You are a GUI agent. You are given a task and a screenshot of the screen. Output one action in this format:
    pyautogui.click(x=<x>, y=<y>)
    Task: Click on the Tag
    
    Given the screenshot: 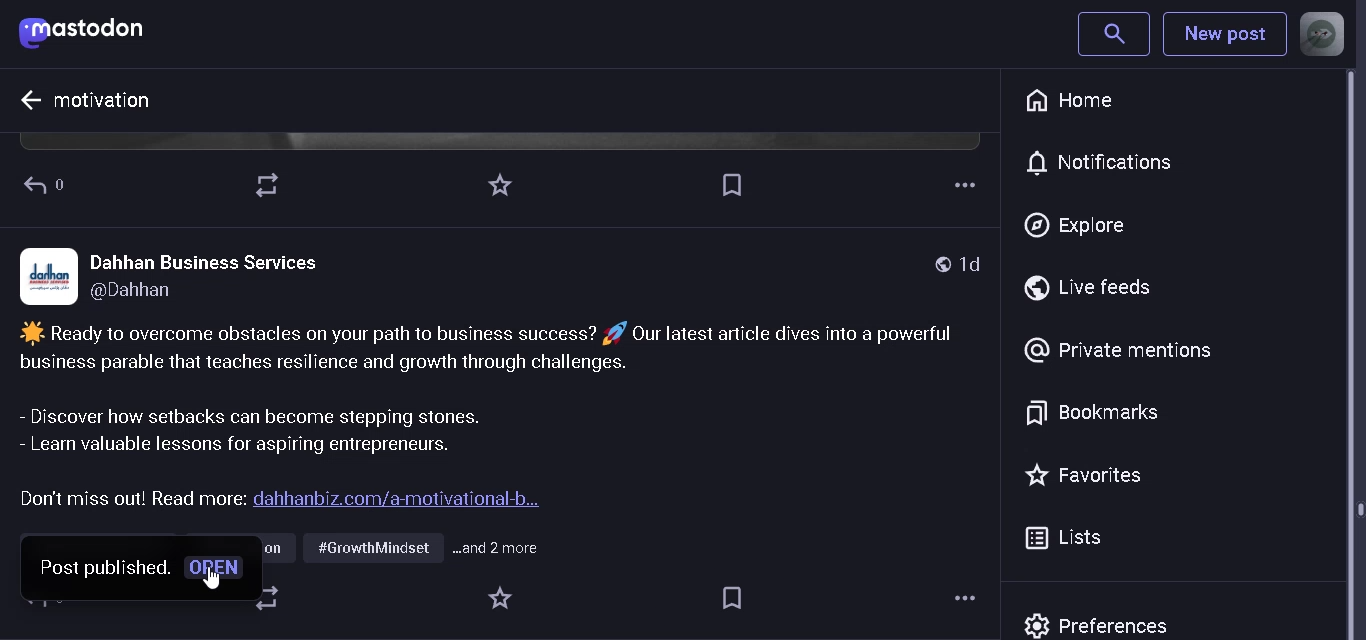 What is the action you would take?
    pyautogui.click(x=734, y=598)
    